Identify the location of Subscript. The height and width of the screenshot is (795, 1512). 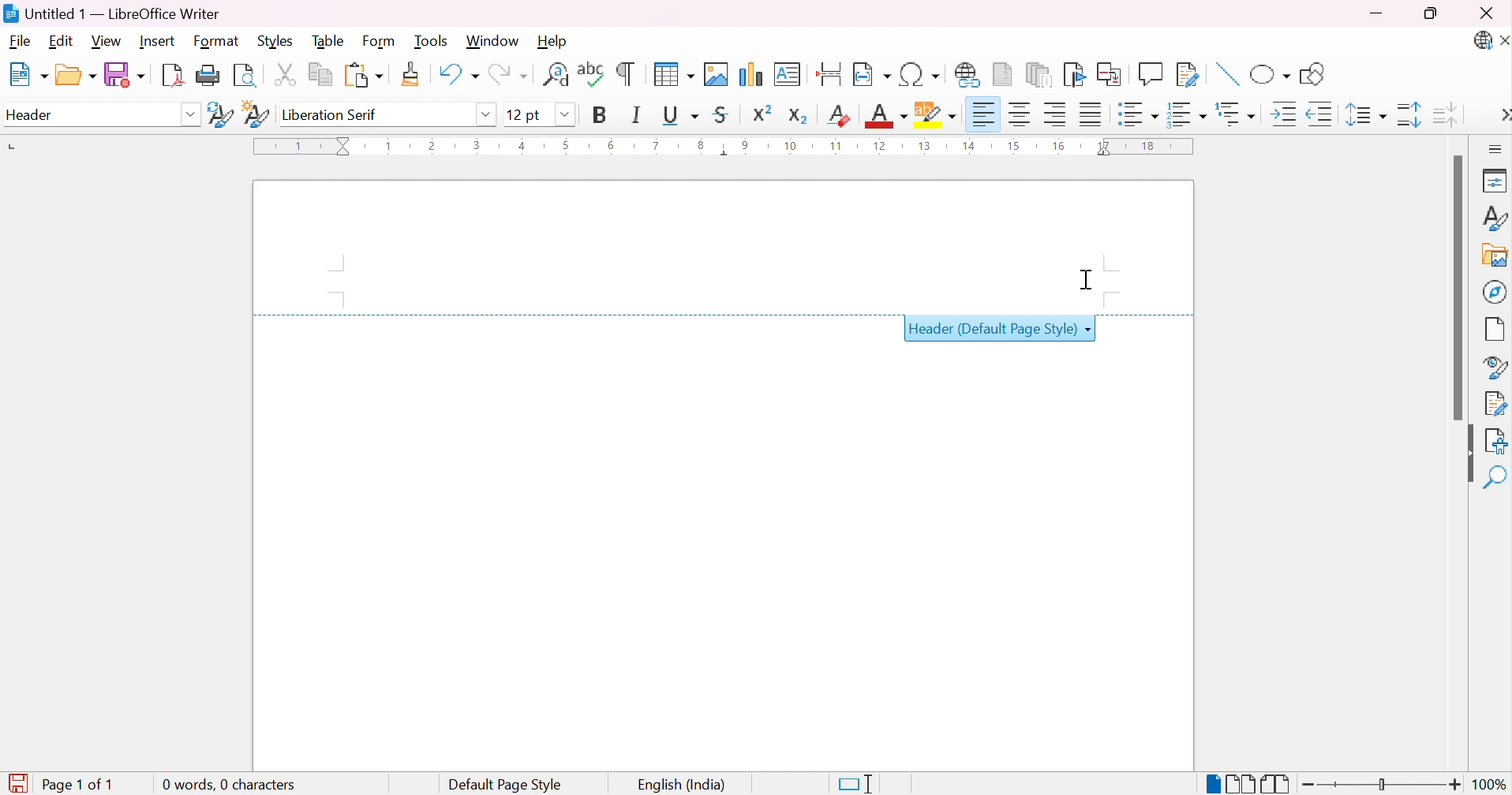
(799, 118).